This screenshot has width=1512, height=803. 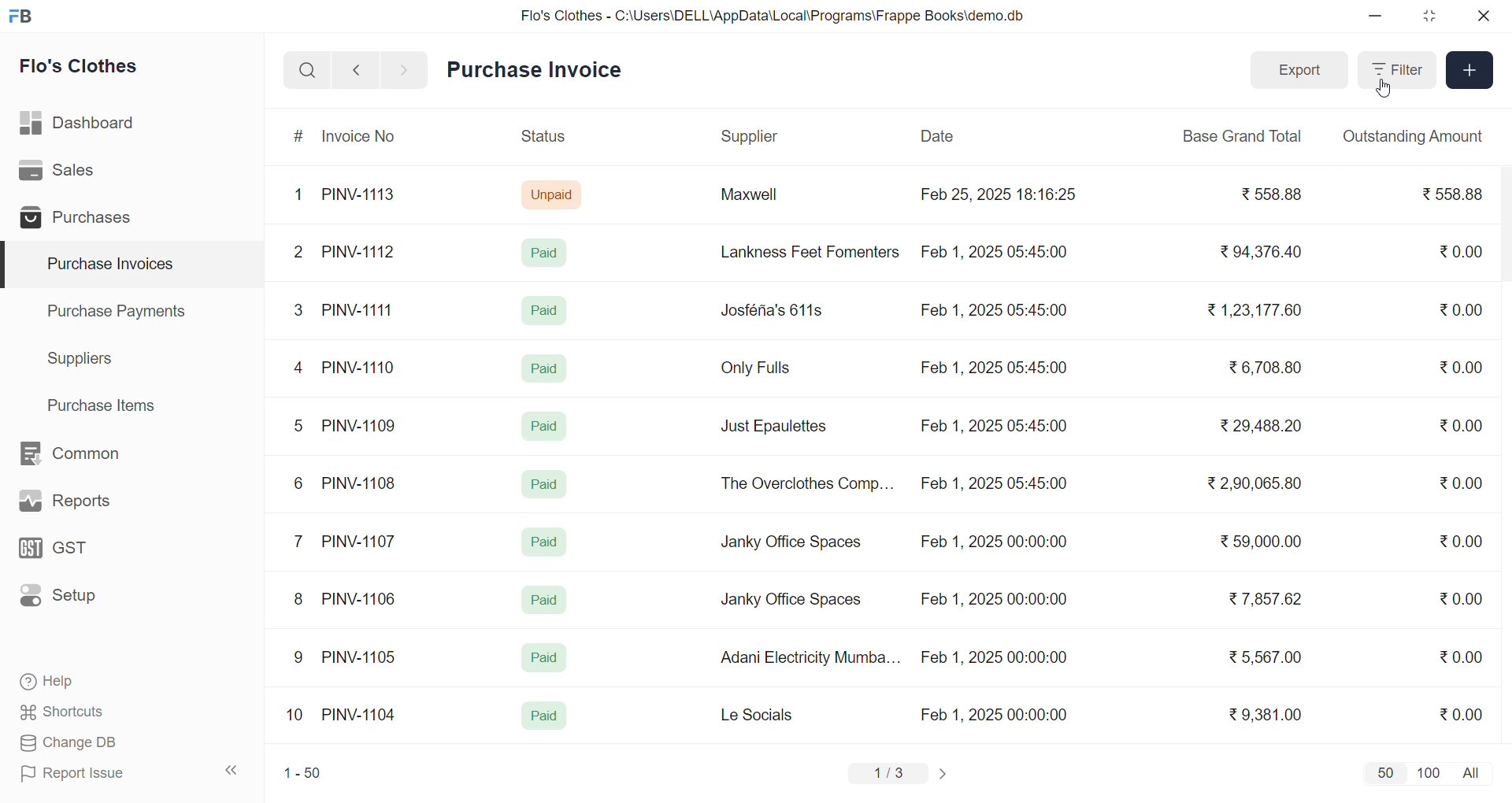 What do you see at coordinates (1461, 598) in the screenshot?
I see `₹0.00` at bounding box center [1461, 598].